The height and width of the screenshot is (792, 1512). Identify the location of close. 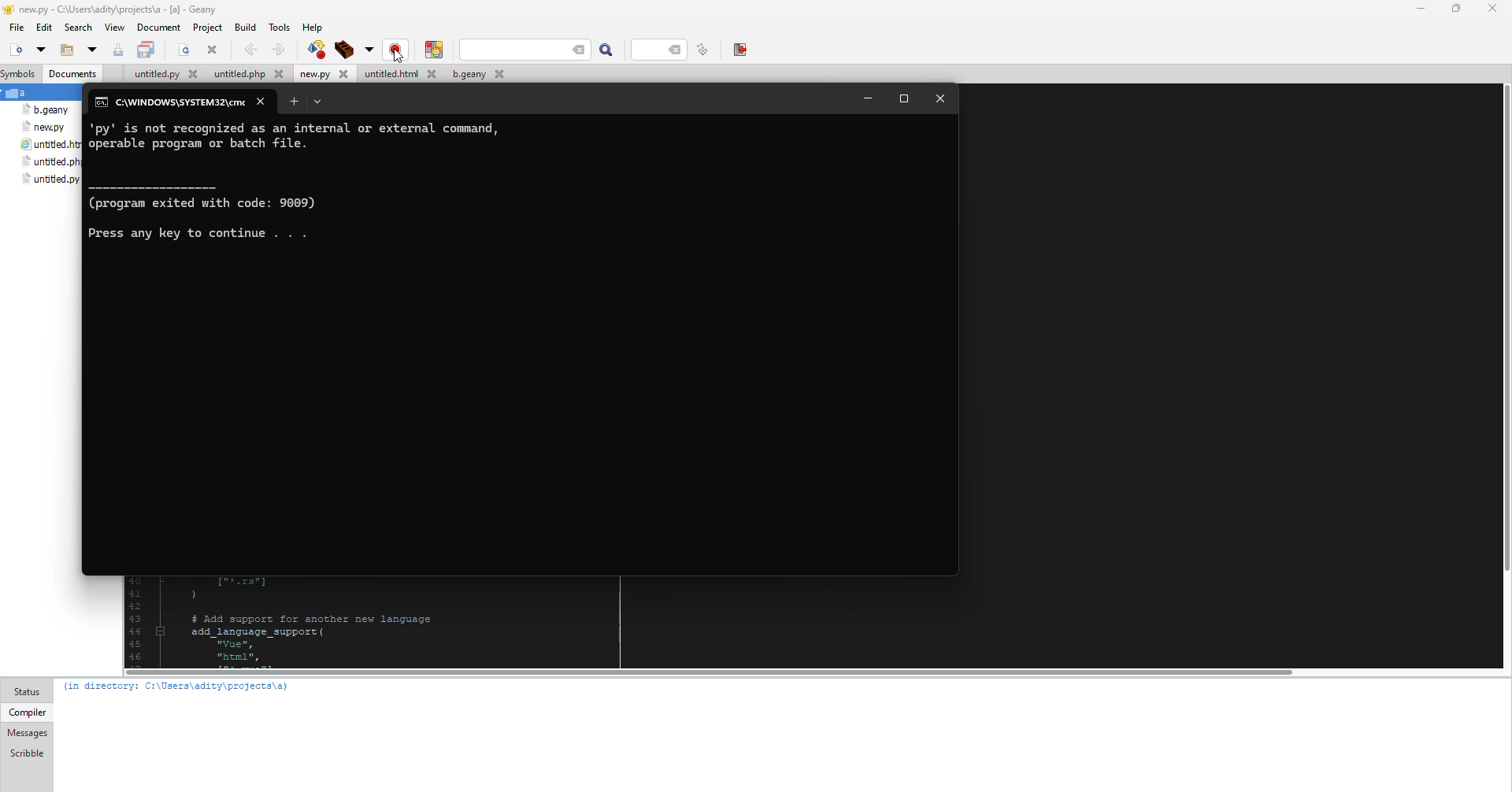
(212, 50).